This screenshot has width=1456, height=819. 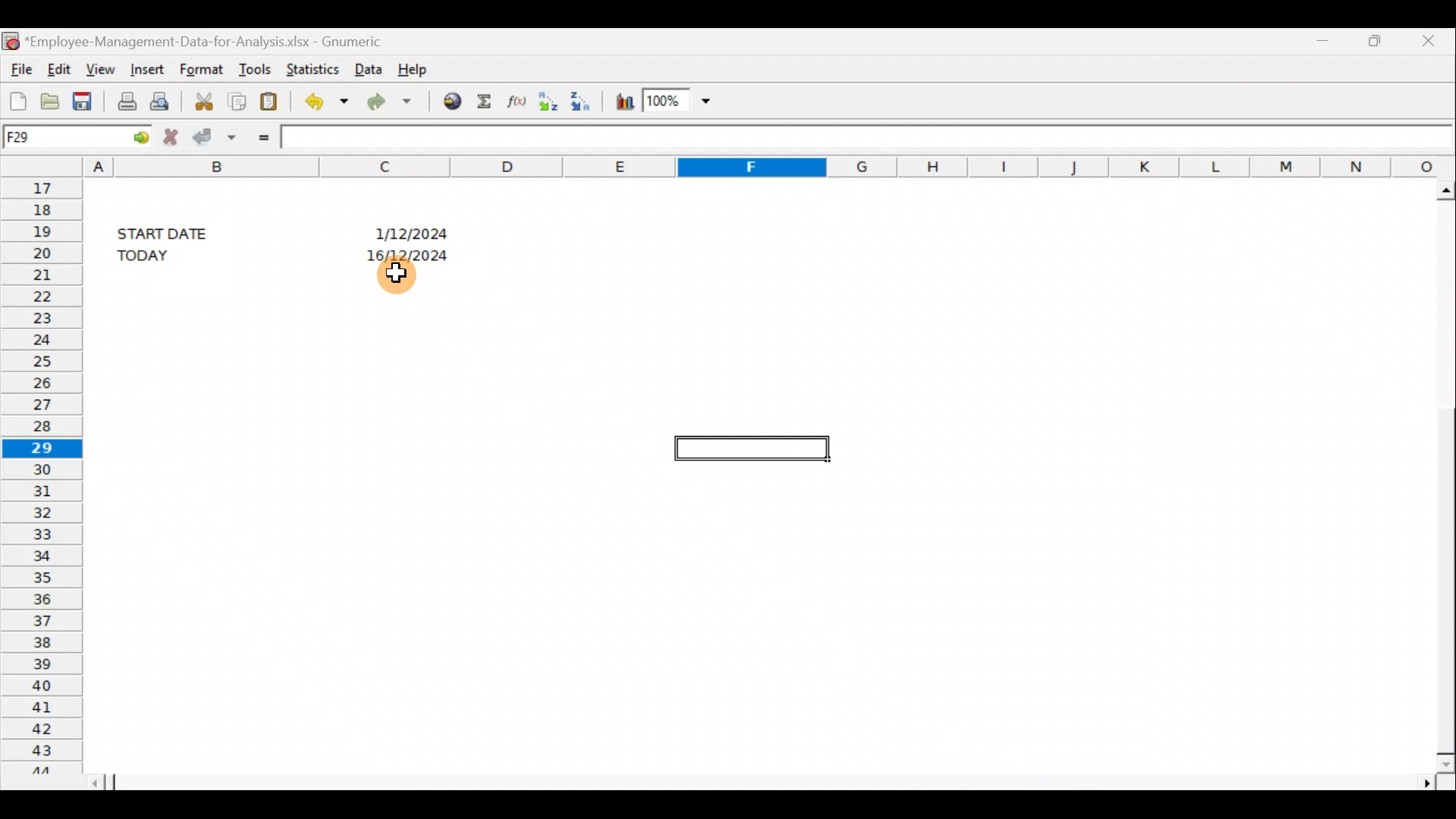 What do you see at coordinates (1321, 42) in the screenshot?
I see `Minimize` at bounding box center [1321, 42].